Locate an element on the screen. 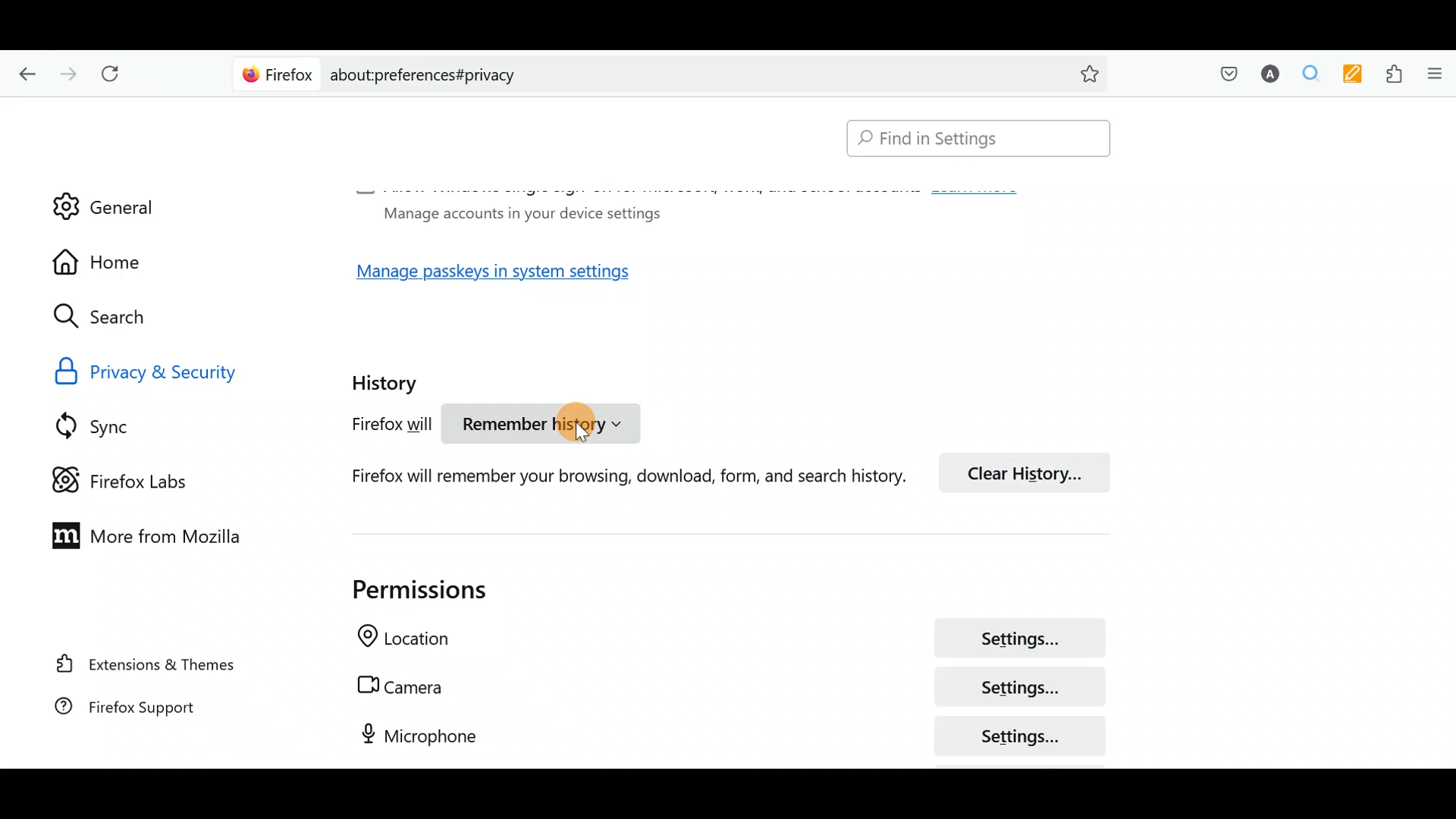 This screenshot has height=819, width=1456. Home is located at coordinates (112, 262).